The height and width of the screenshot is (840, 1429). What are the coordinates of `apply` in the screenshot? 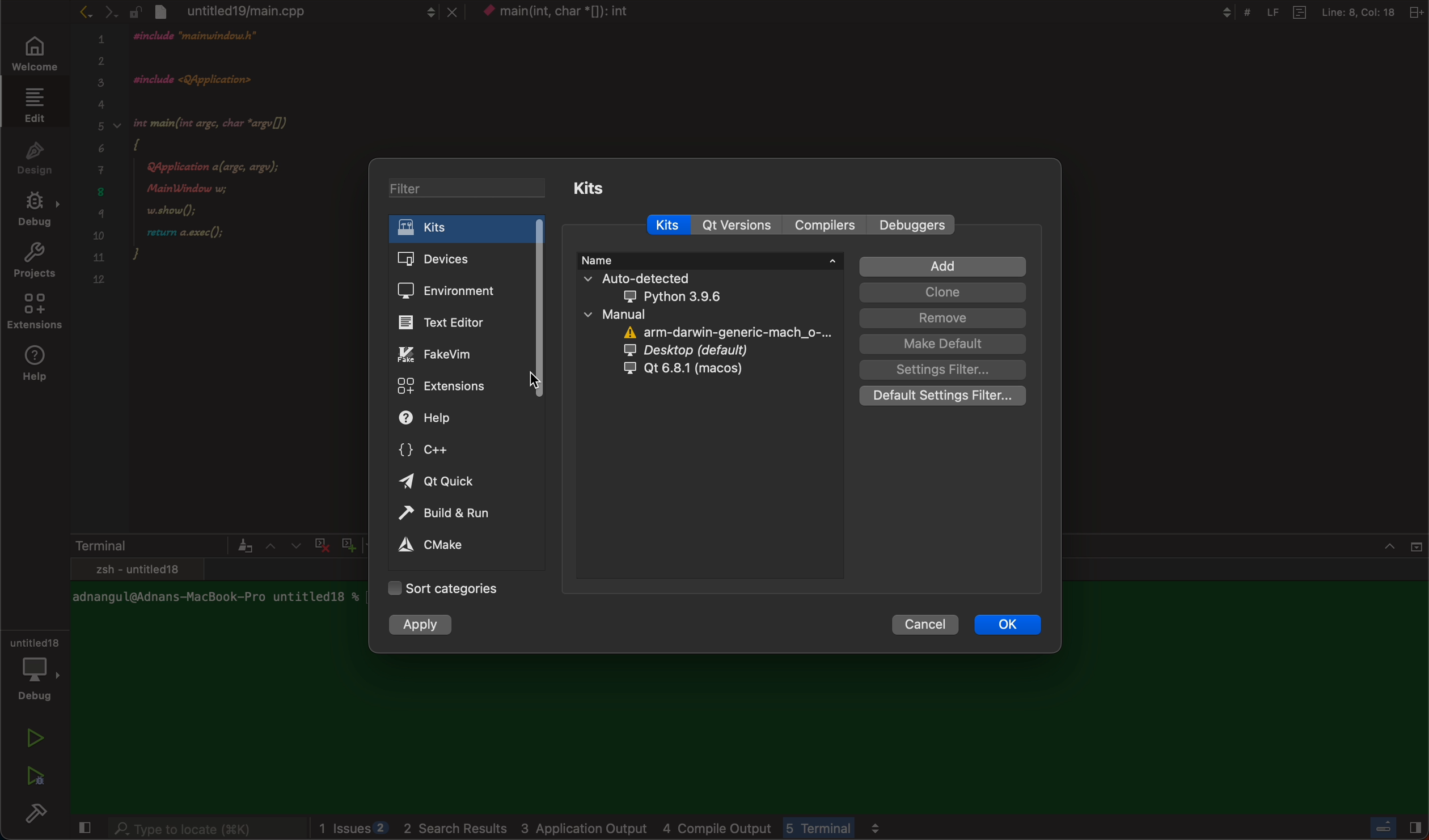 It's located at (424, 623).